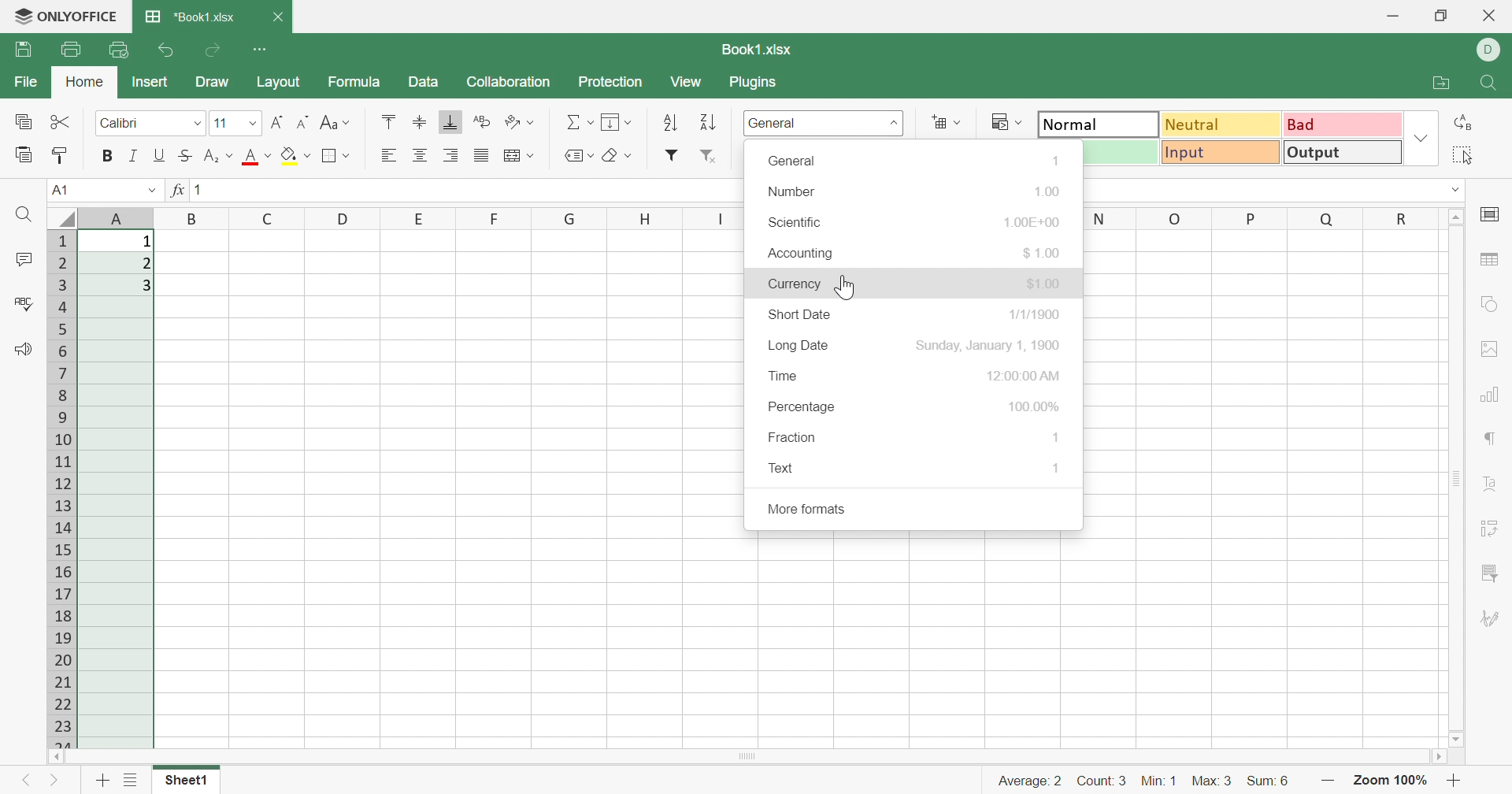  What do you see at coordinates (132, 778) in the screenshot?
I see `List of sheets` at bounding box center [132, 778].